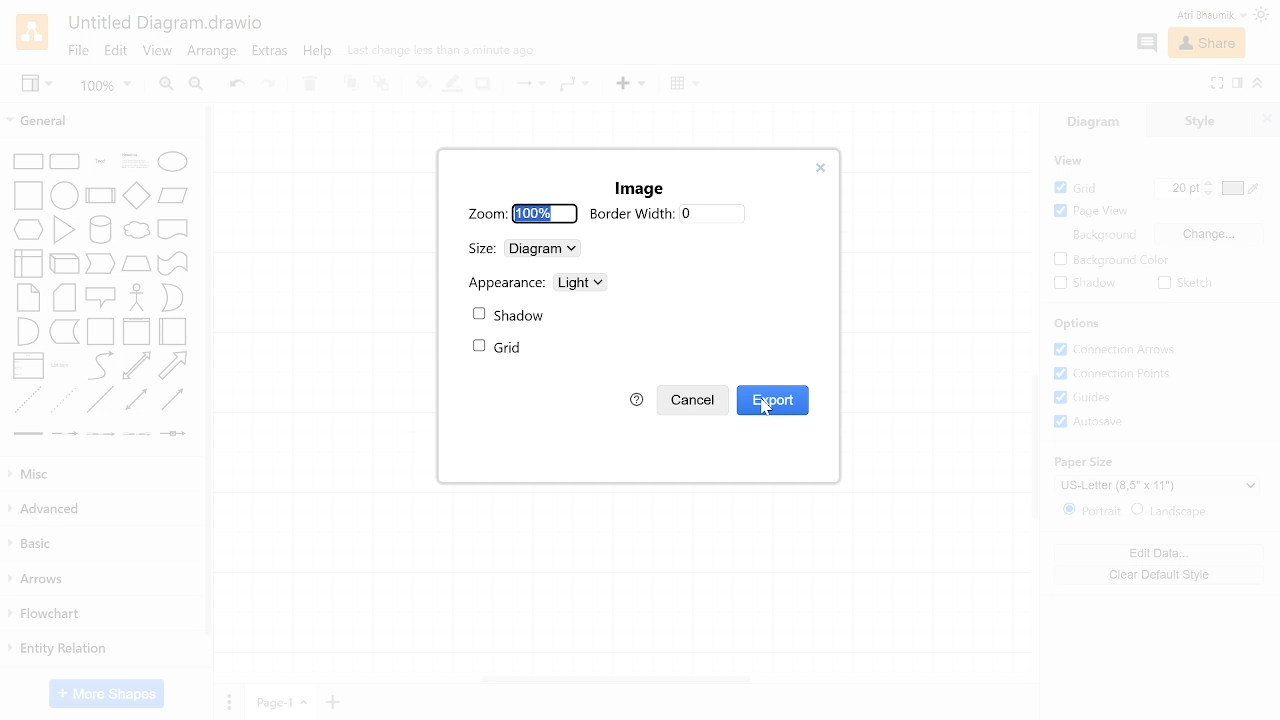  Describe the element at coordinates (1240, 188) in the screenshot. I see `Grid color` at that location.